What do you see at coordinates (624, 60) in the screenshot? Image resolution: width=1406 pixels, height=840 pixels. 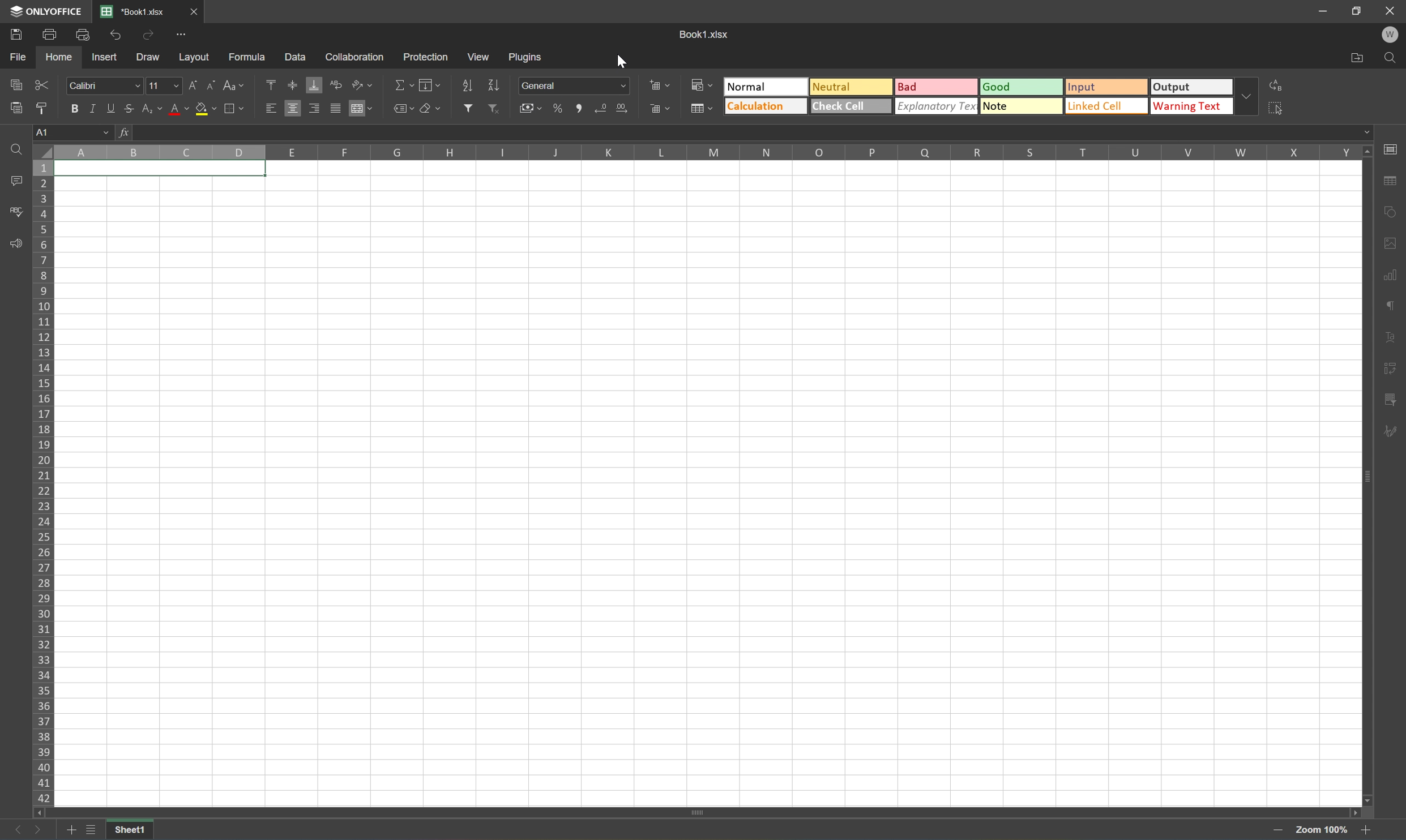 I see `Cursor` at bounding box center [624, 60].